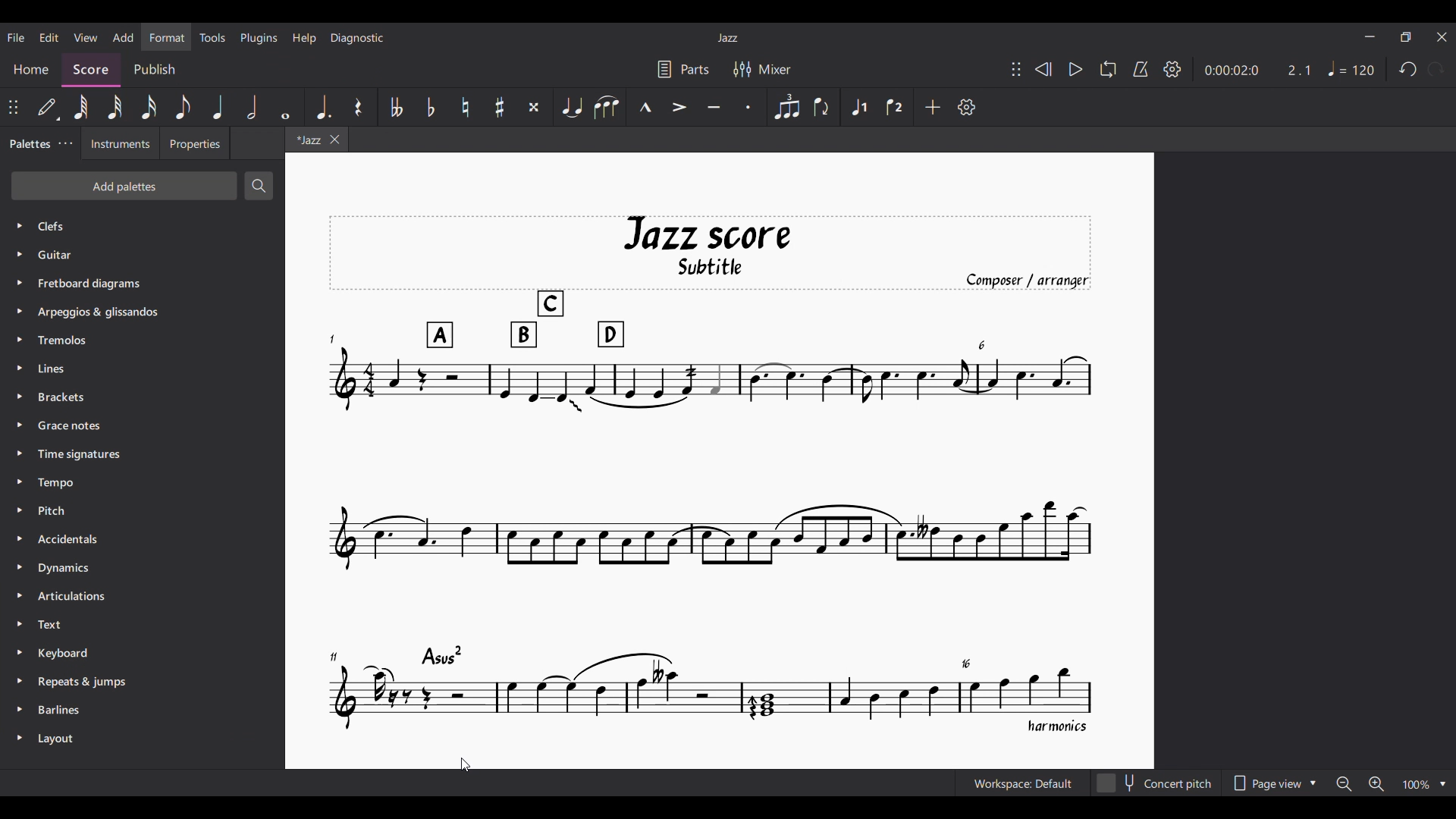 The width and height of the screenshot is (1456, 819). I want to click on Articulation, so click(72, 598).